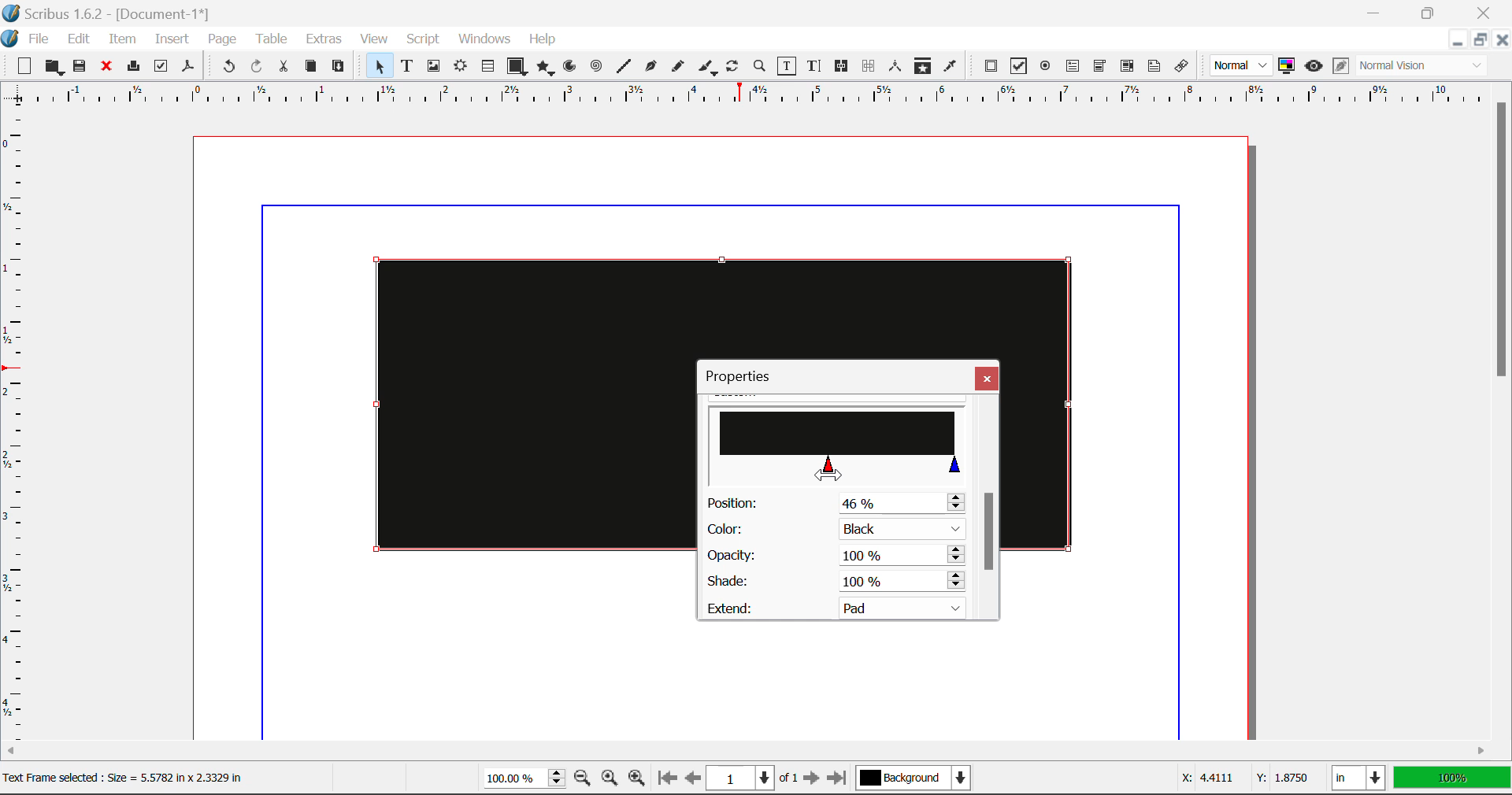 This screenshot has height=795, width=1512. What do you see at coordinates (108, 13) in the screenshot?
I see `Scribus 1.6.2 - [Document-1#]` at bounding box center [108, 13].